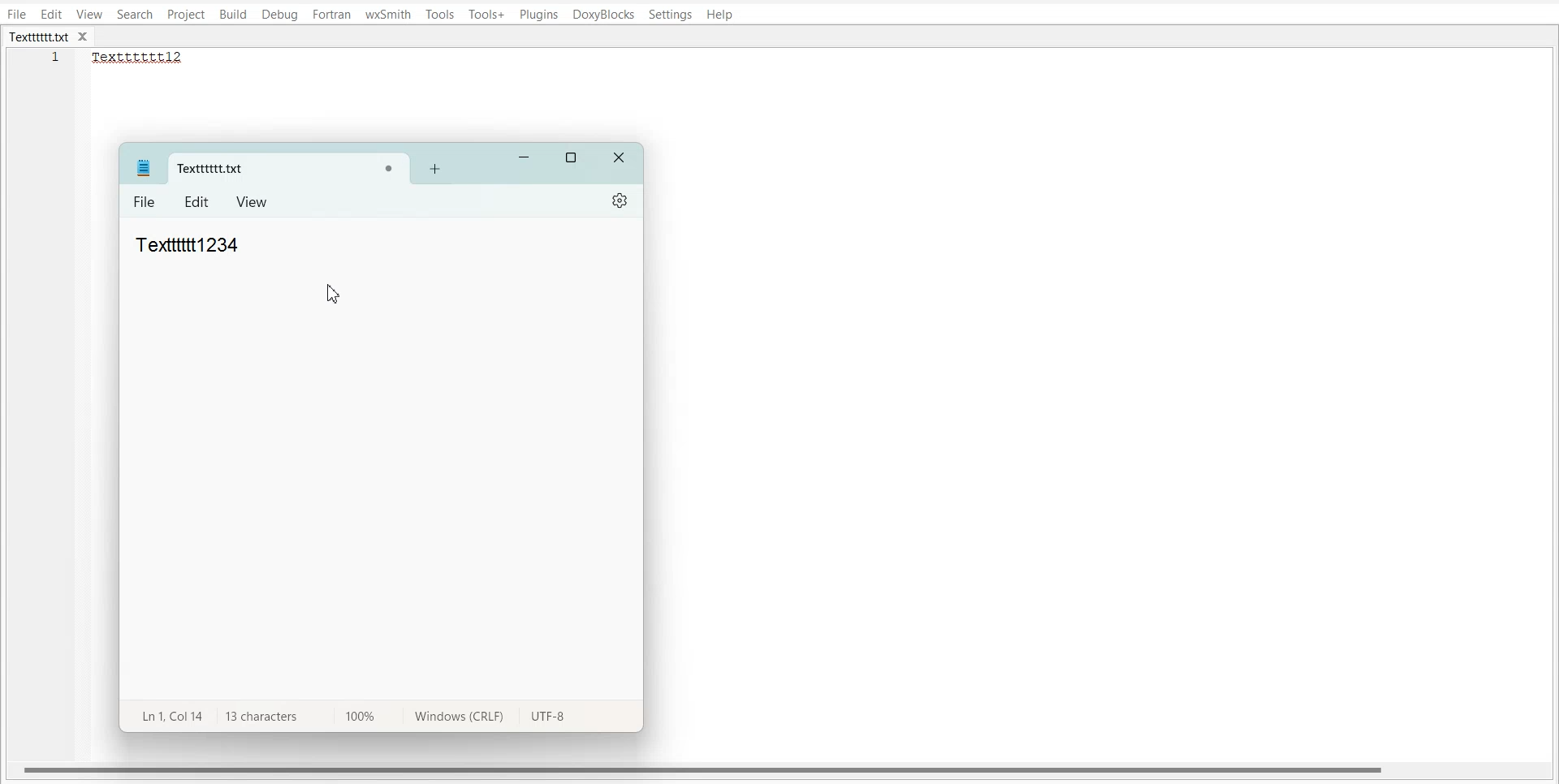 This screenshot has width=1559, height=784. I want to click on Close, so click(388, 170).